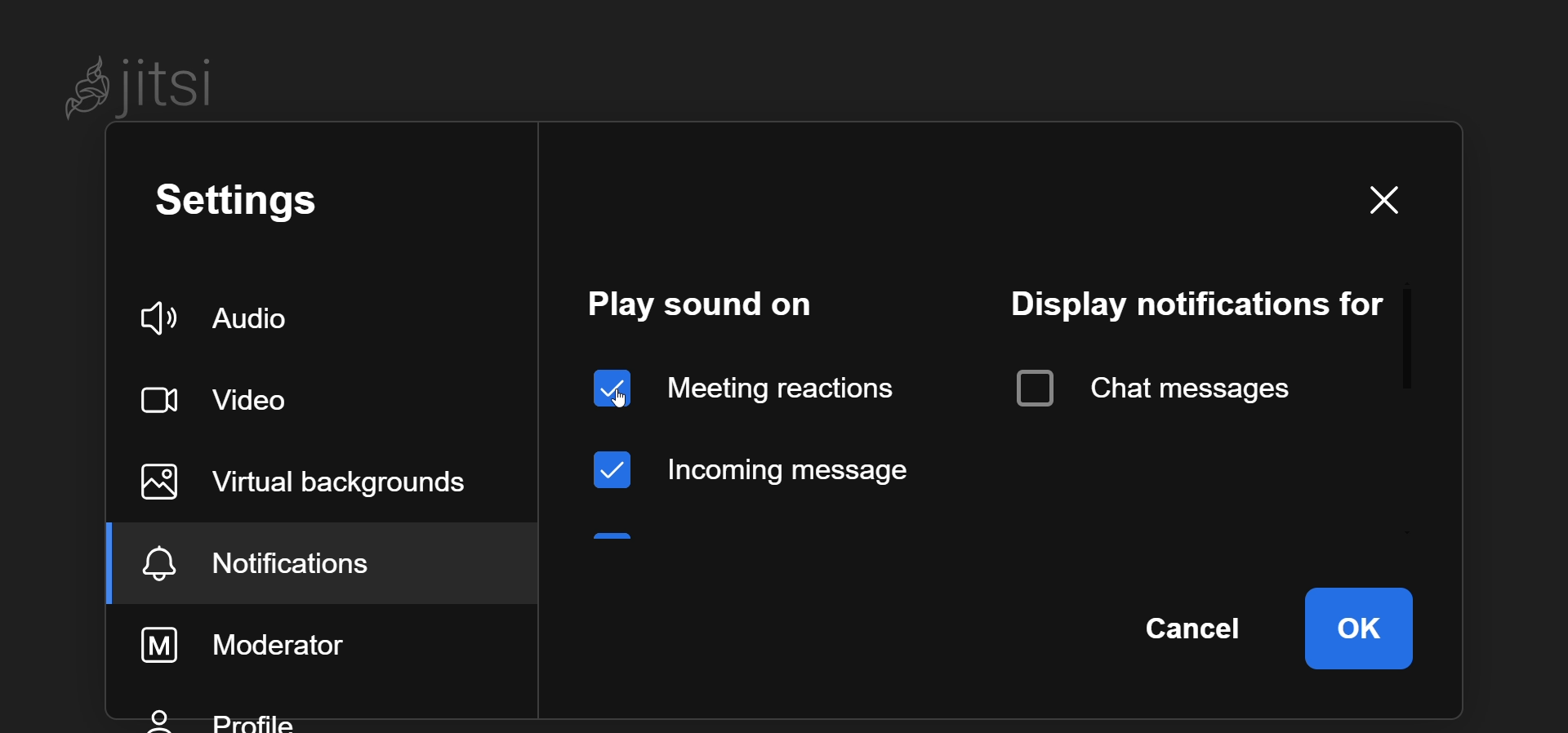 This screenshot has height=733, width=1568. What do you see at coordinates (1363, 629) in the screenshot?
I see `ok` at bounding box center [1363, 629].